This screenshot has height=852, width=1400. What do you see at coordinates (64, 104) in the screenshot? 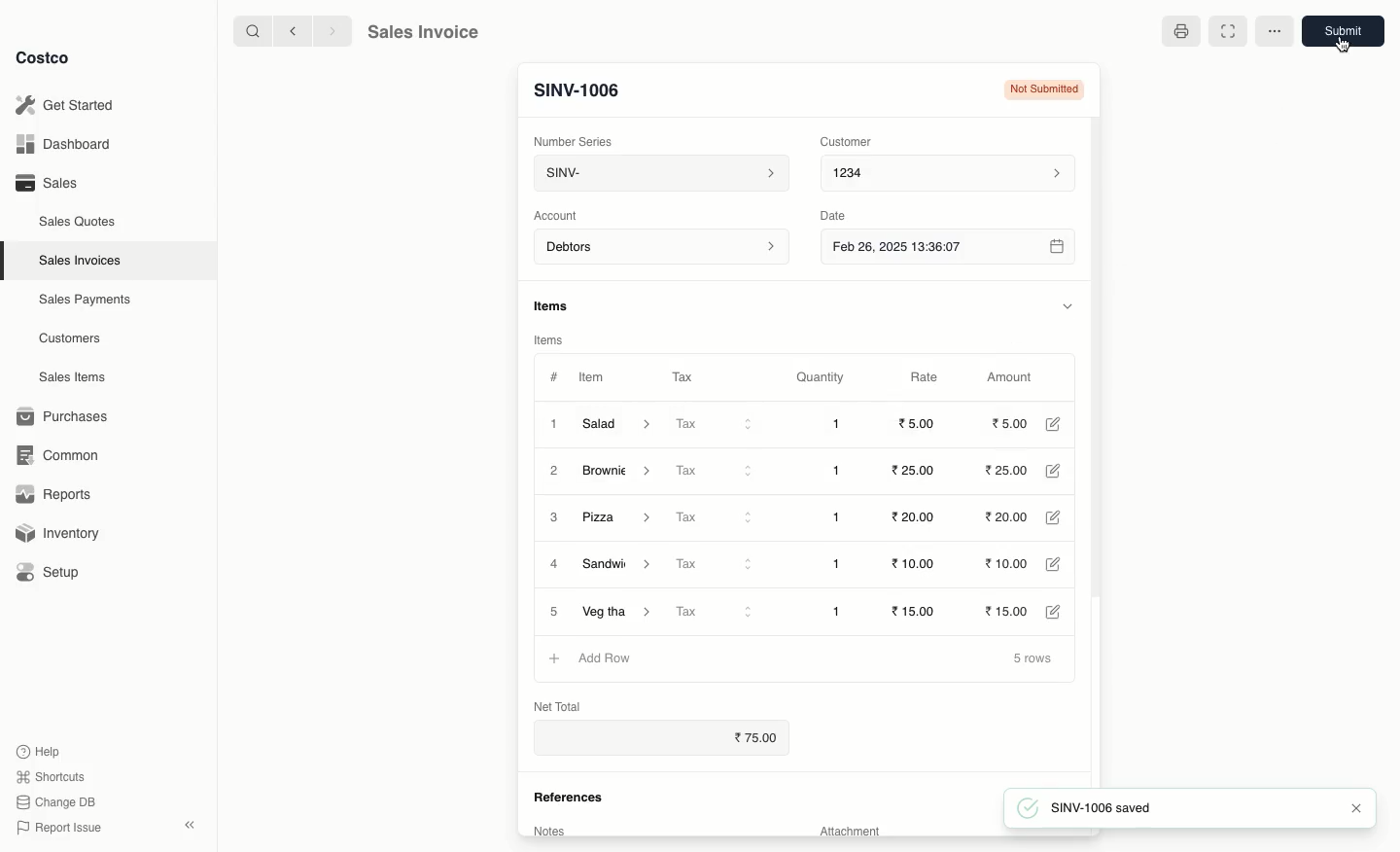
I see `Get Started` at bounding box center [64, 104].